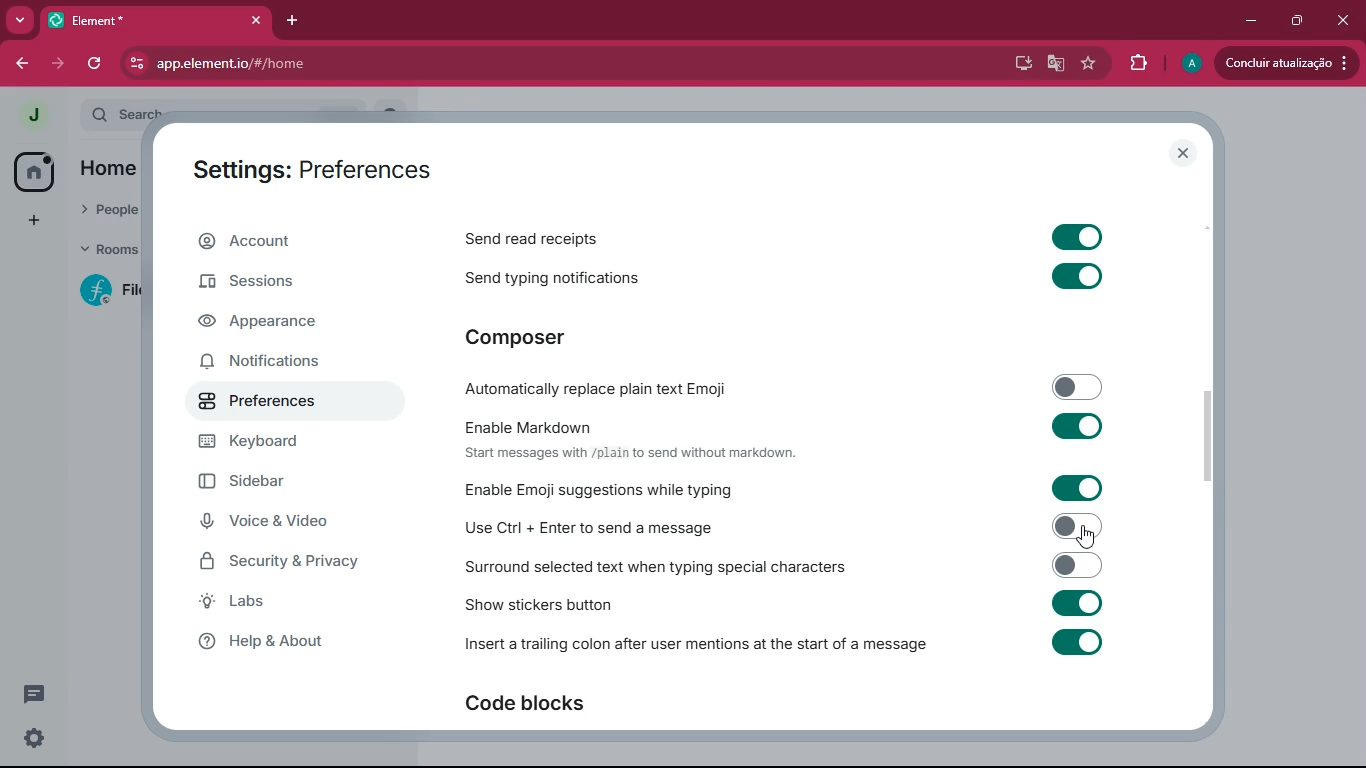 This screenshot has height=768, width=1366. Describe the element at coordinates (1183, 153) in the screenshot. I see `close` at that location.